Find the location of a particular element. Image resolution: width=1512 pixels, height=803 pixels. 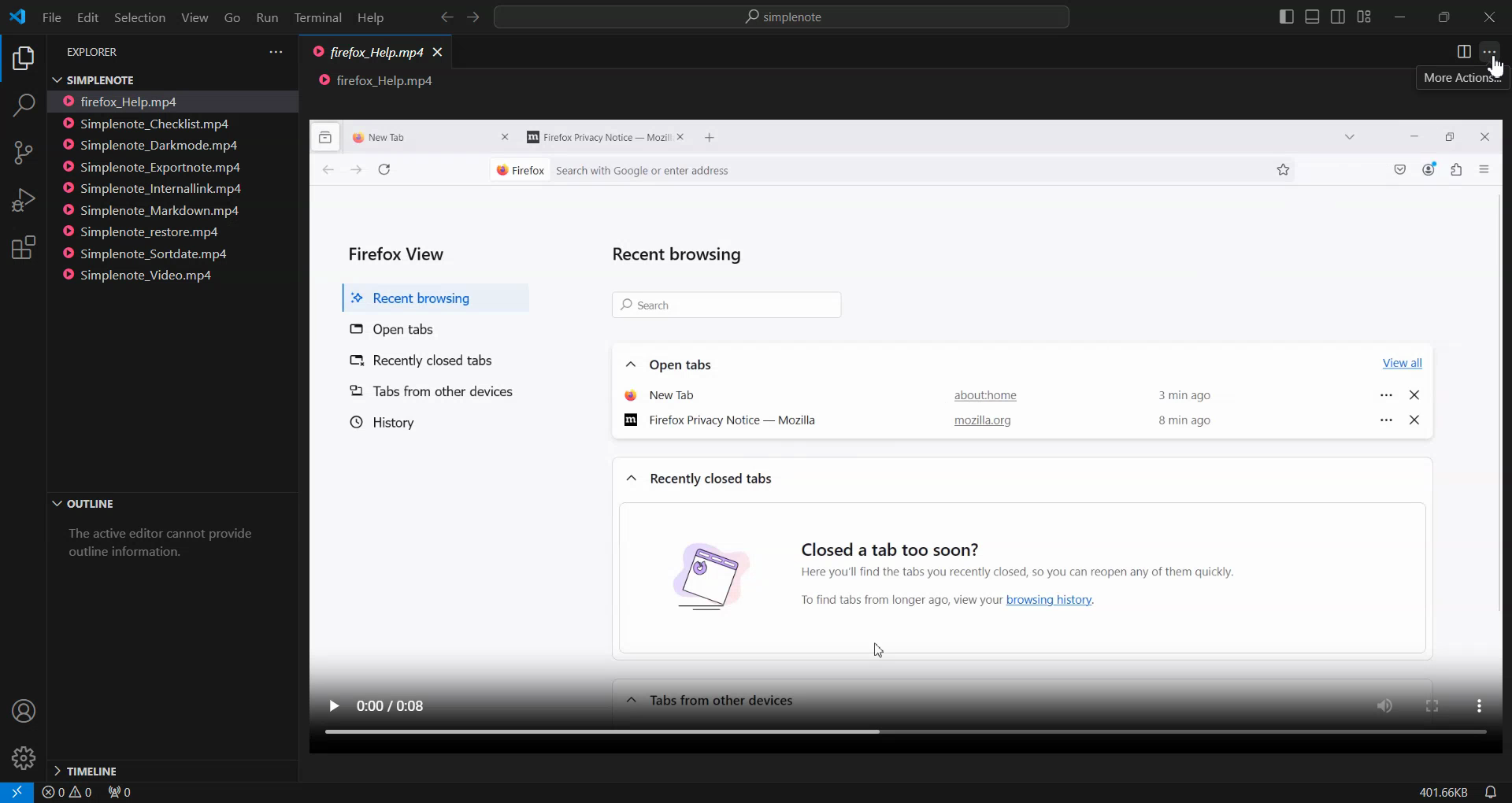

Selection is located at coordinates (139, 17).